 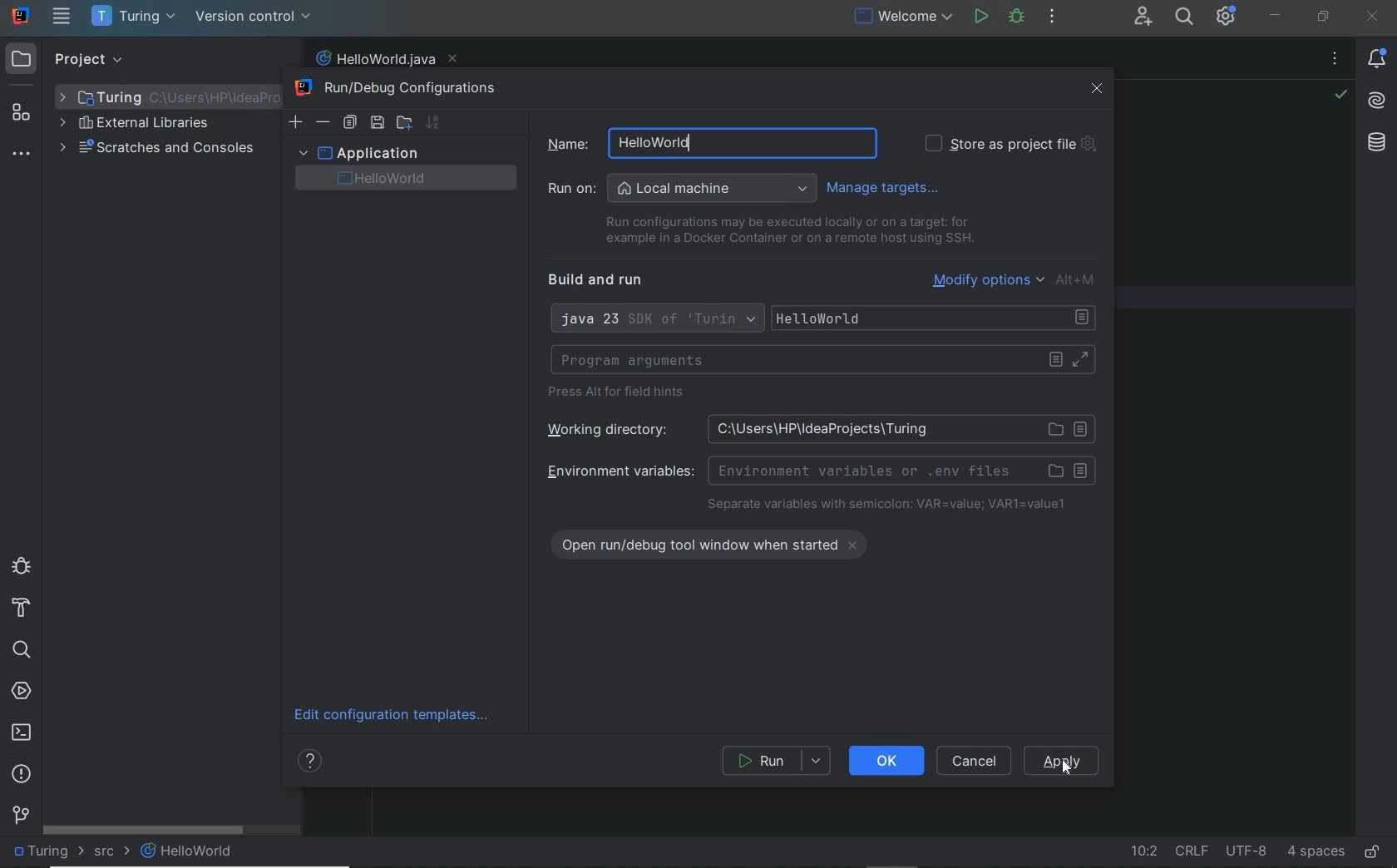 What do you see at coordinates (1098, 89) in the screenshot?
I see `CLOSE` at bounding box center [1098, 89].